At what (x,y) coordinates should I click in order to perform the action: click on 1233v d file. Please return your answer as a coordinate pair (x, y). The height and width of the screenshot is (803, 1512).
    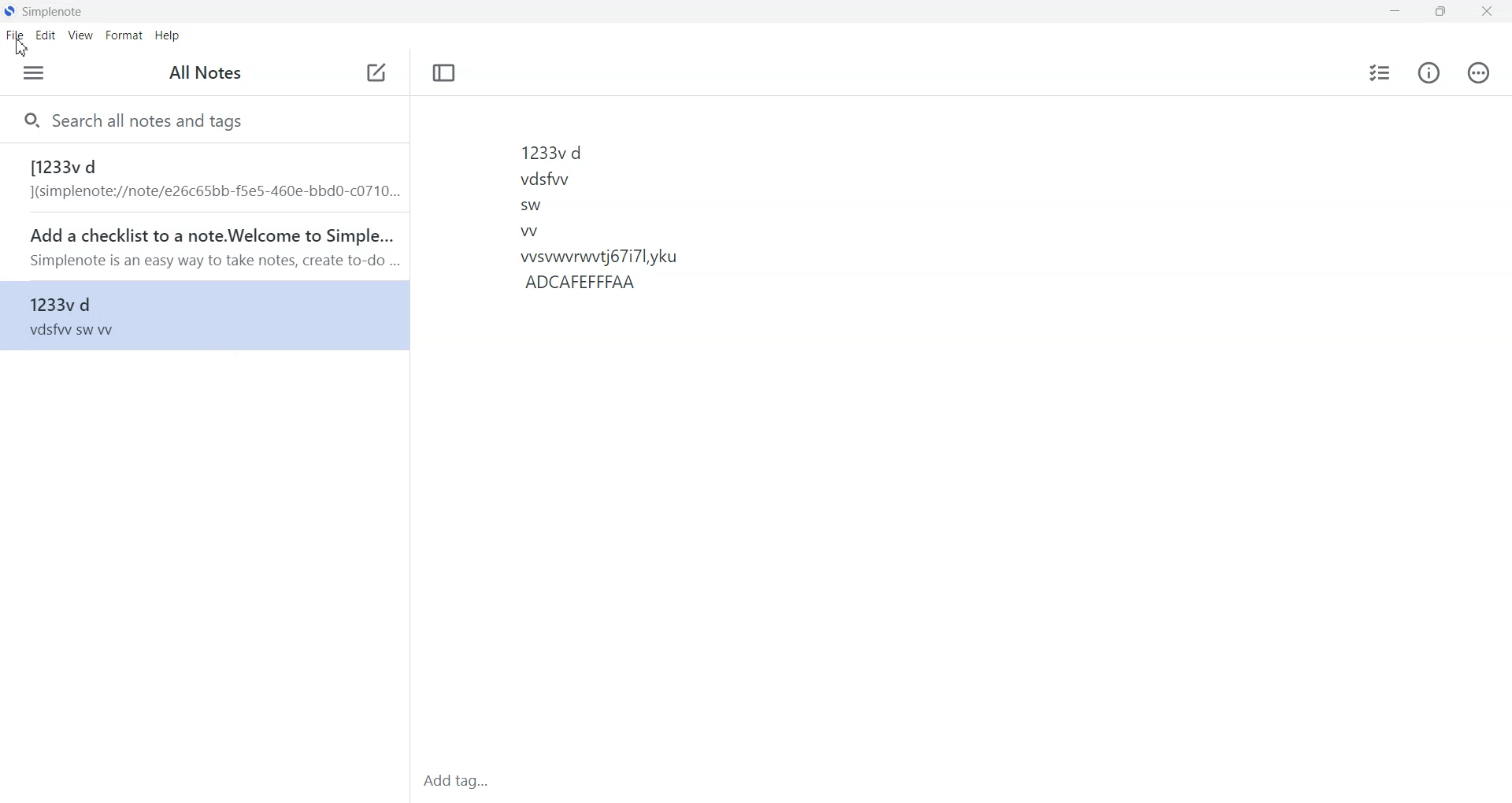
    Looking at the image, I should click on (202, 318).